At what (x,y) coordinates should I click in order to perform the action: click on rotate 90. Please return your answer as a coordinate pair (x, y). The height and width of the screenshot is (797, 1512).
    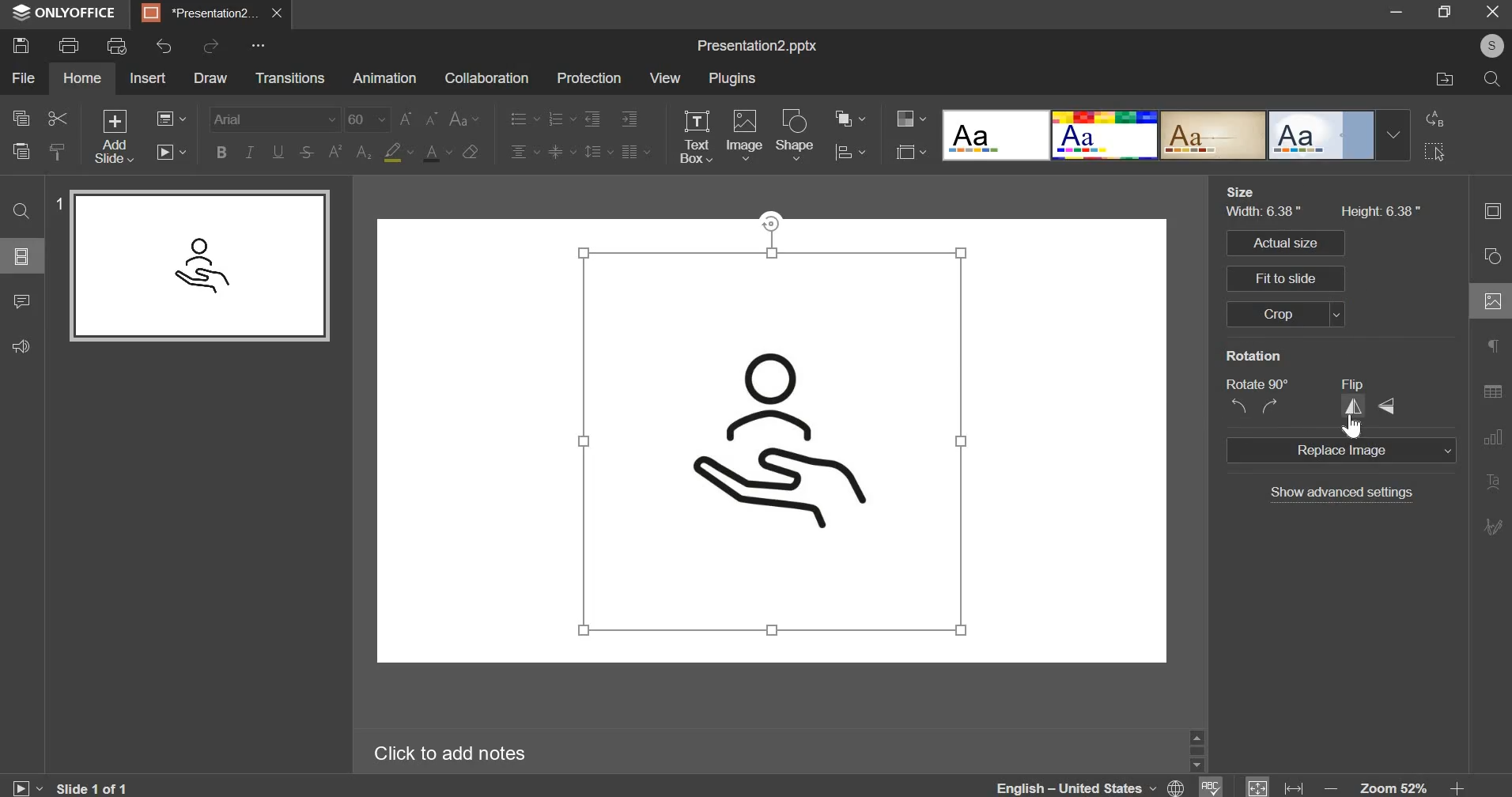
    Looking at the image, I should click on (1260, 398).